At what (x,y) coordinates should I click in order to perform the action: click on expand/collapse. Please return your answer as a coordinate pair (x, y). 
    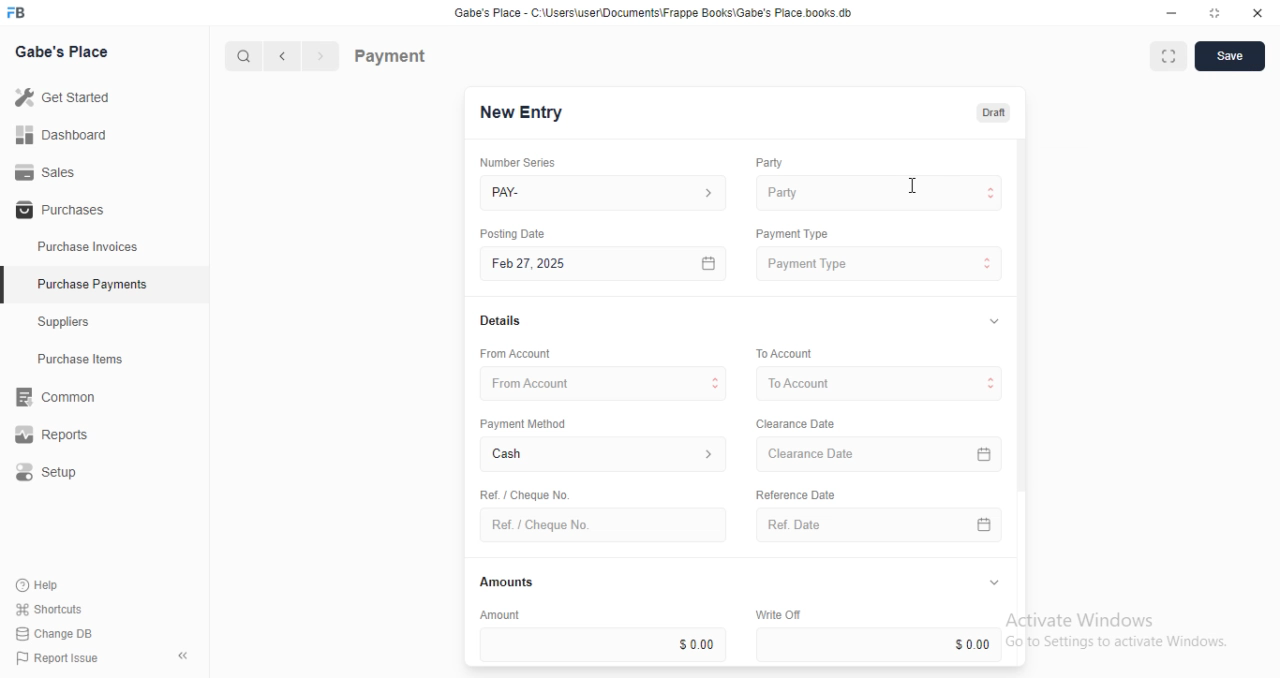
    Looking at the image, I should click on (990, 322).